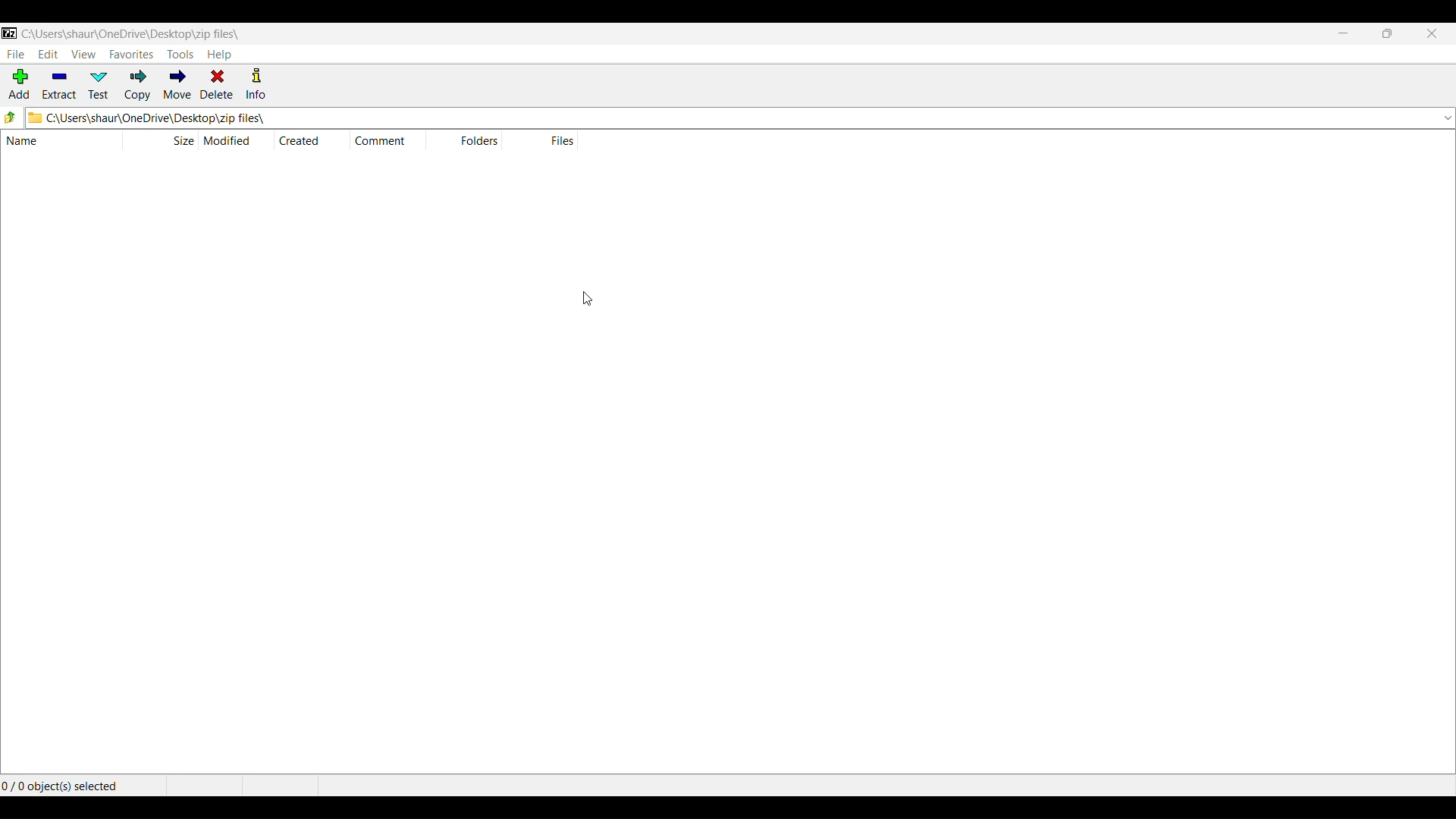 The width and height of the screenshot is (1456, 819). What do you see at coordinates (220, 55) in the screenshot?
I see `HELP` at bounding box center [220, 55].